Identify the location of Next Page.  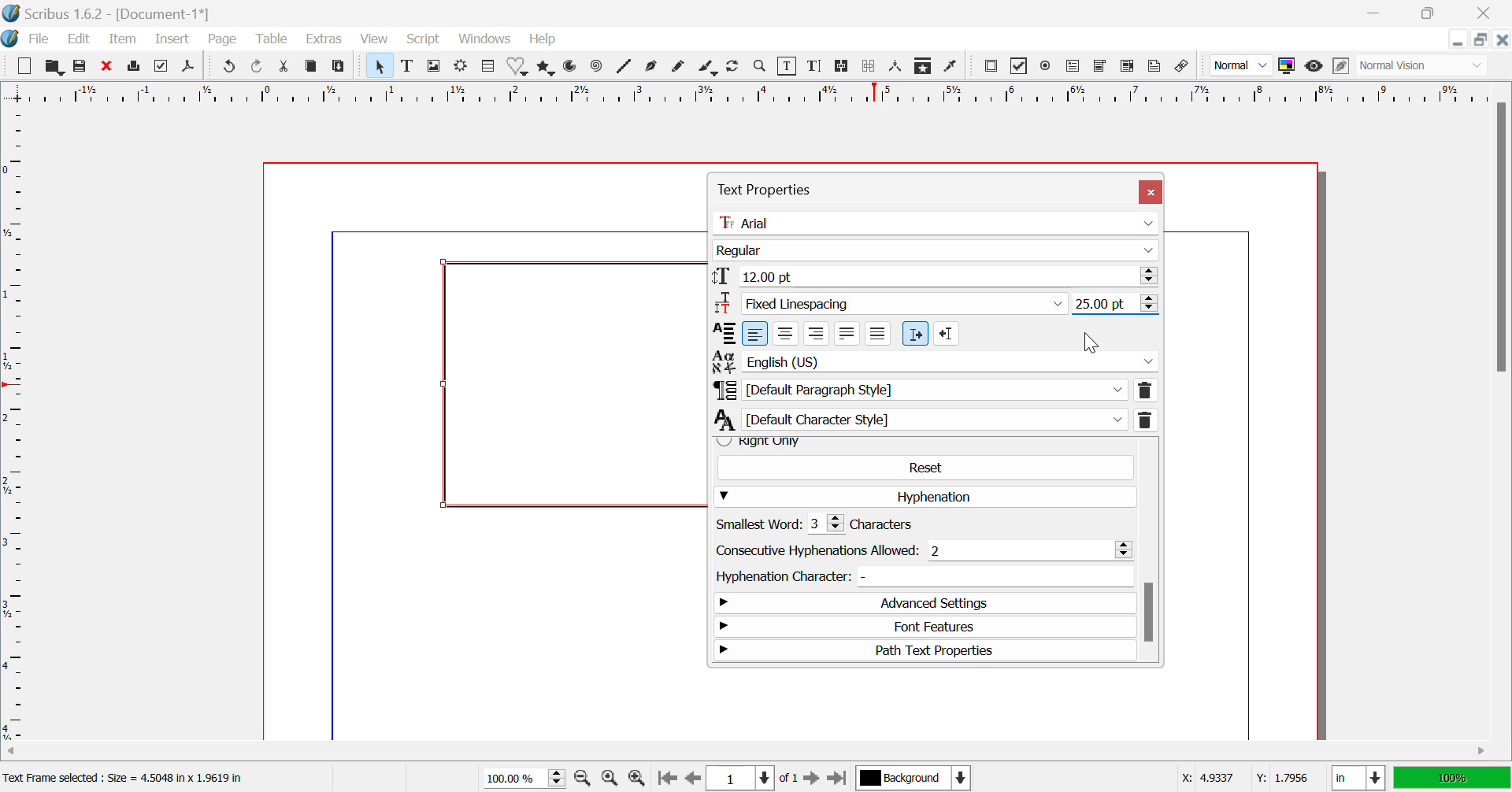
(813, 777).